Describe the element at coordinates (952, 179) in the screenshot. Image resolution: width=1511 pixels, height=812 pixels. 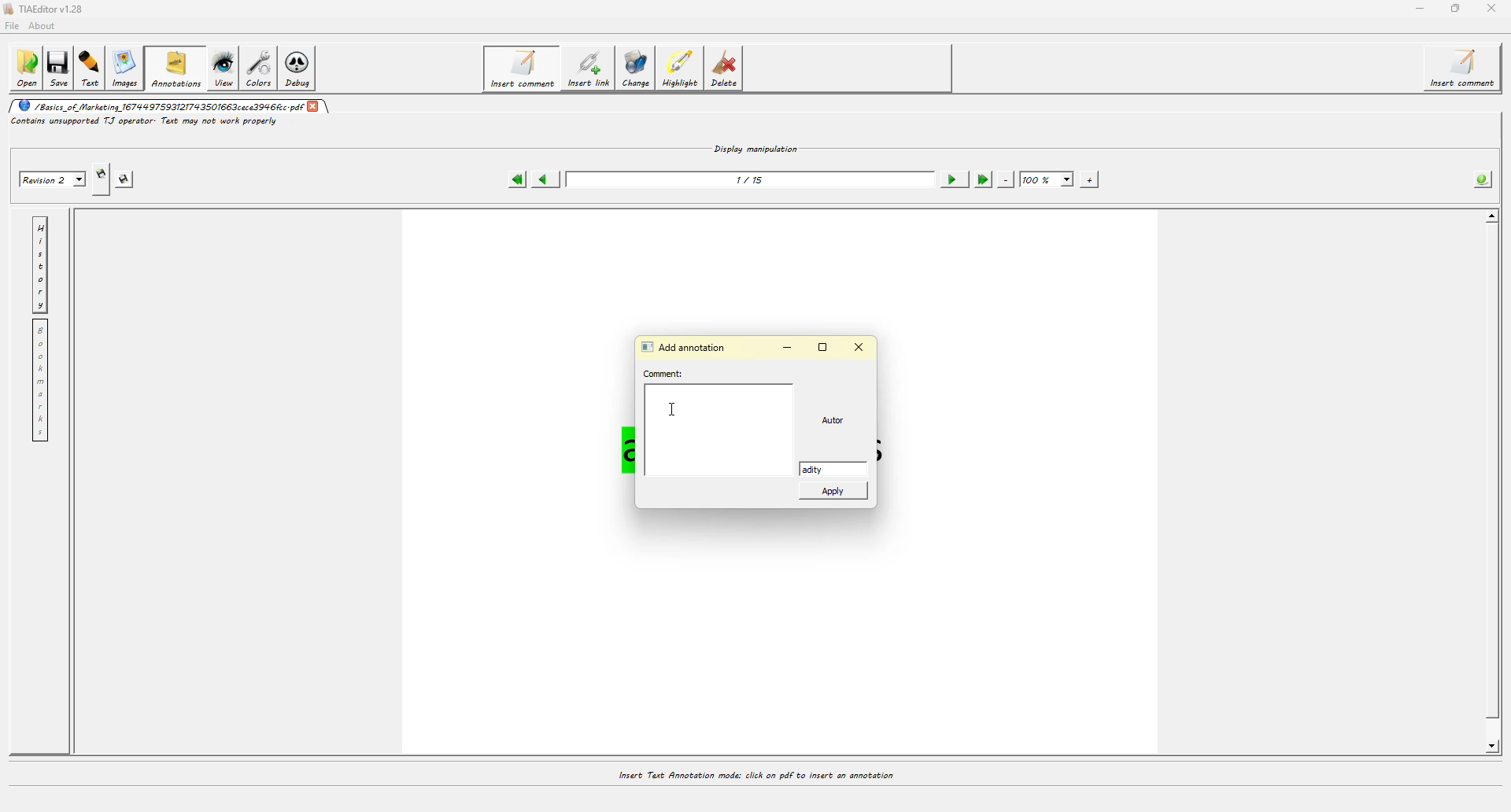
I see `next page` at that location.